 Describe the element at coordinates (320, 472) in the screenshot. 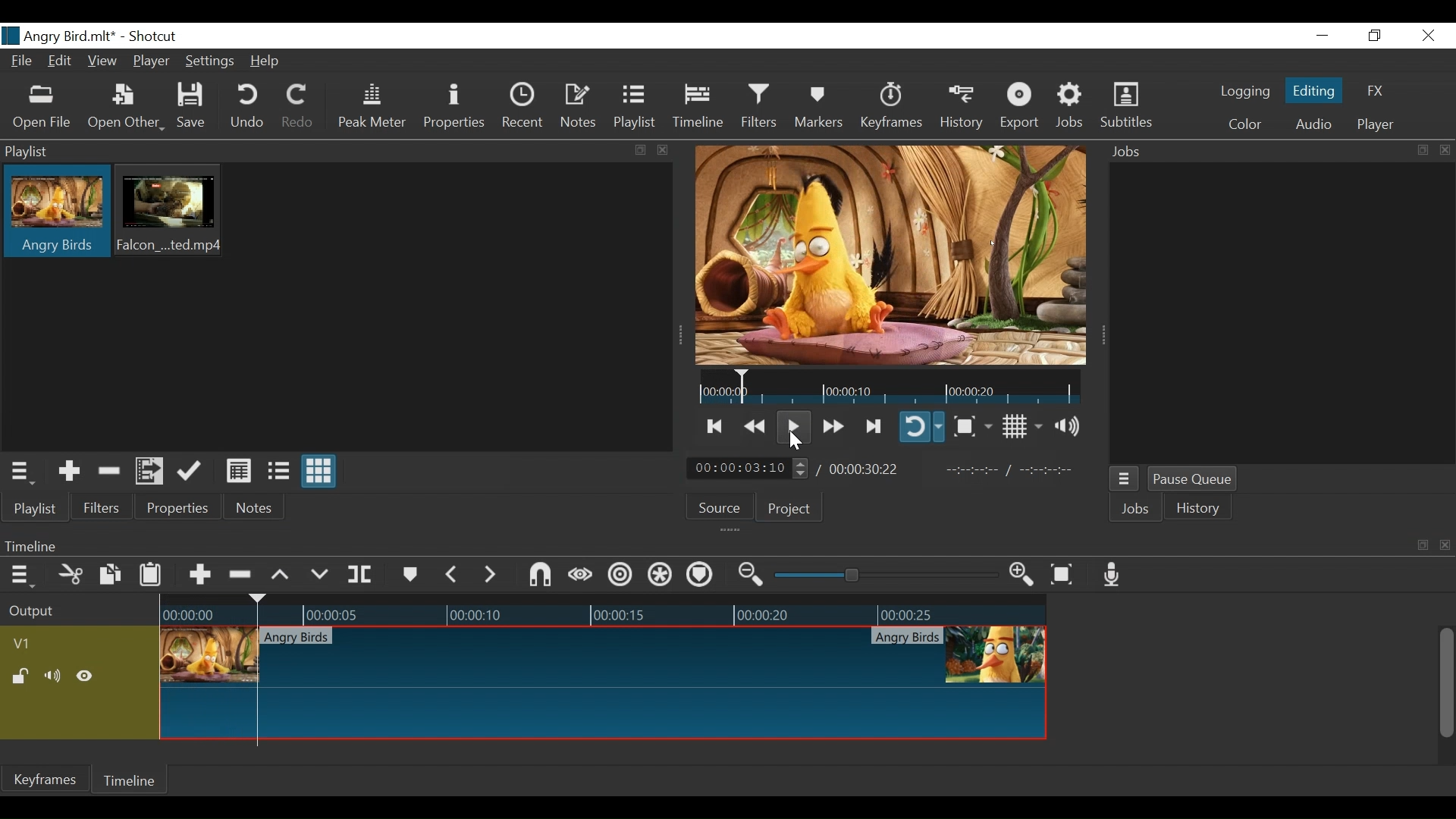

I see `View as icons` at that location.